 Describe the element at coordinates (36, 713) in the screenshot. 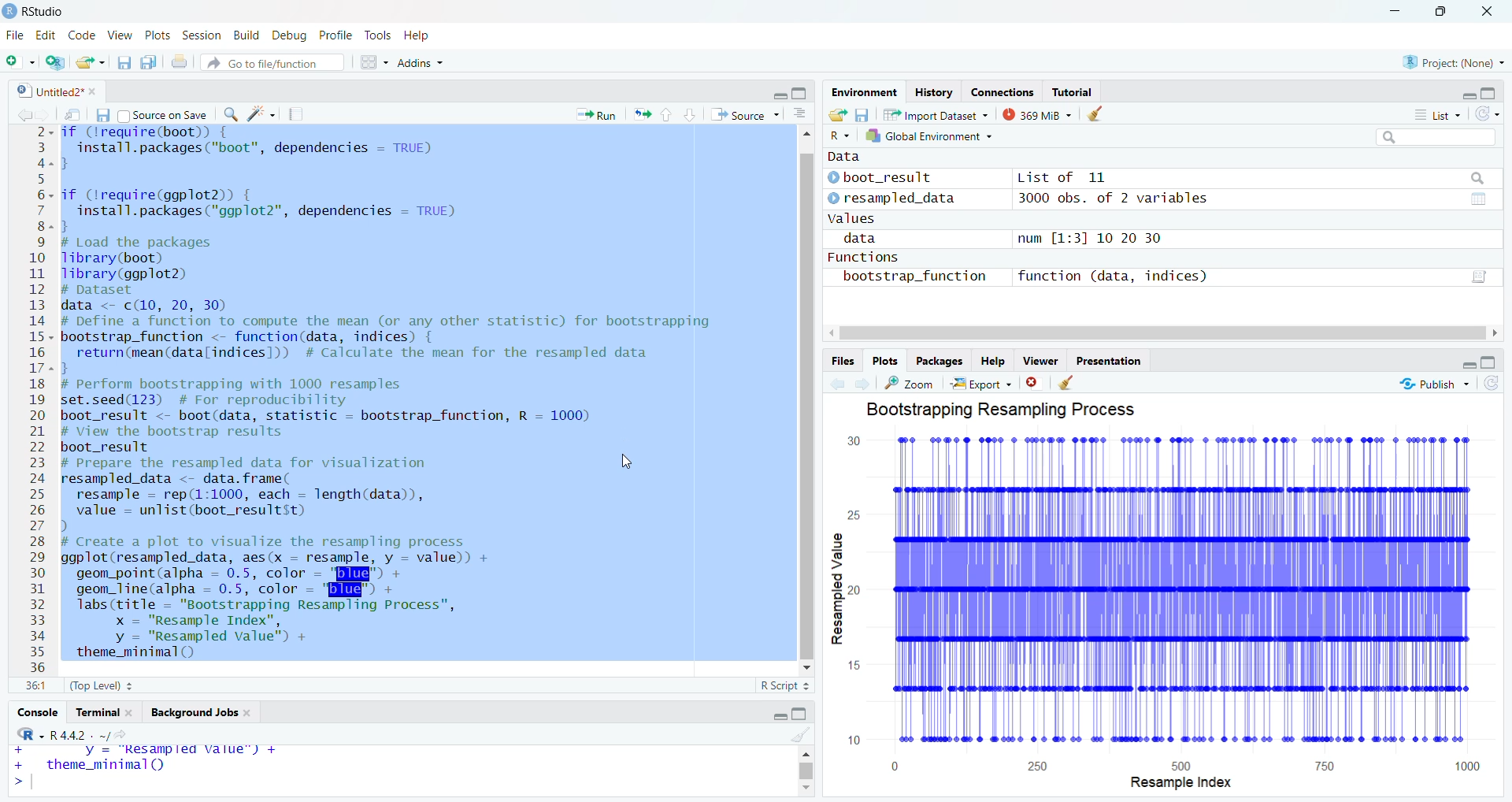

I see `Console` at that location.